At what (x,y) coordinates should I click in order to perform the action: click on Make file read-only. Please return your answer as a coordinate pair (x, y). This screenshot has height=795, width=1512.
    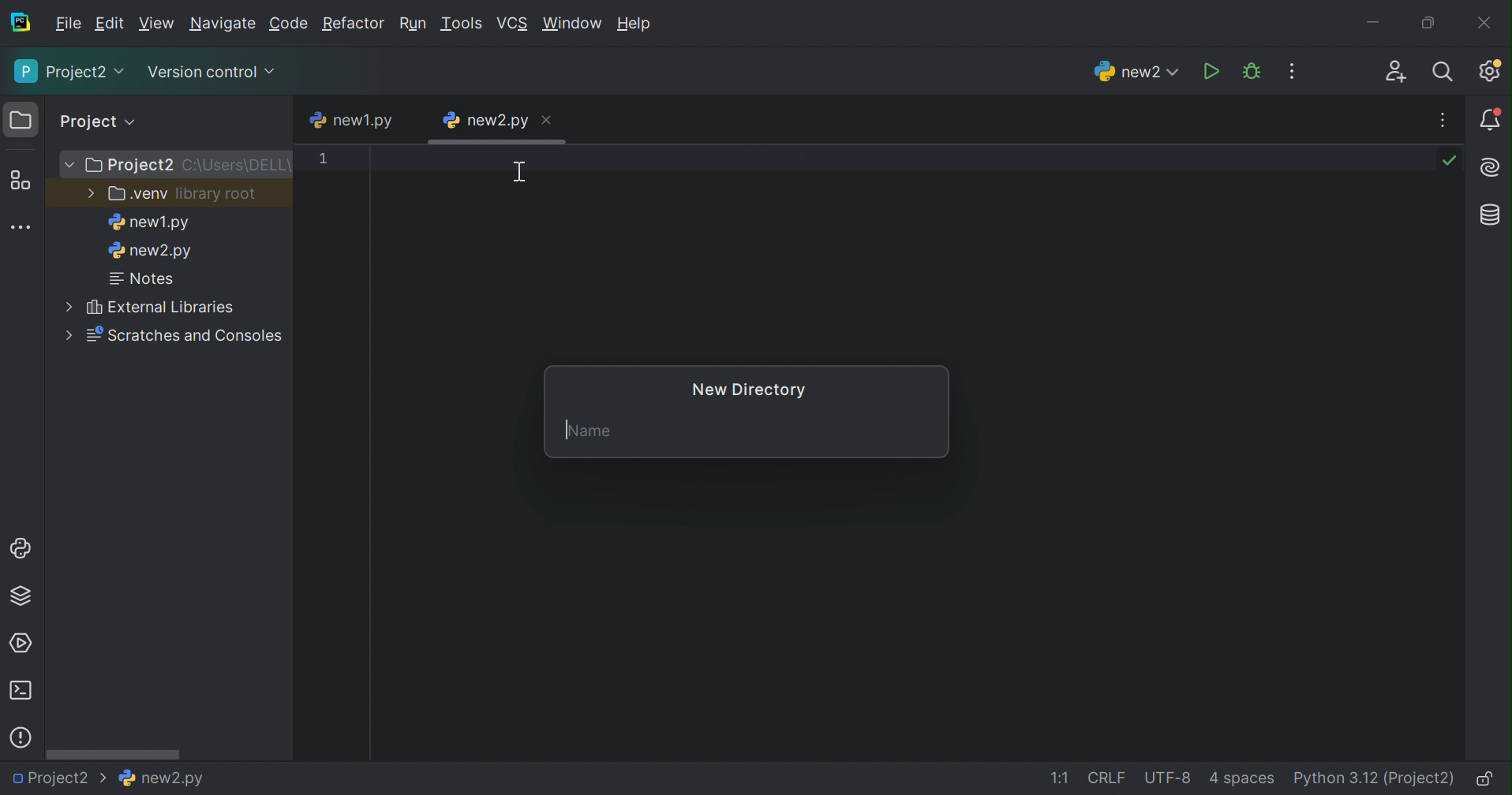
    Looking at the image, I should click on (1490, 779).